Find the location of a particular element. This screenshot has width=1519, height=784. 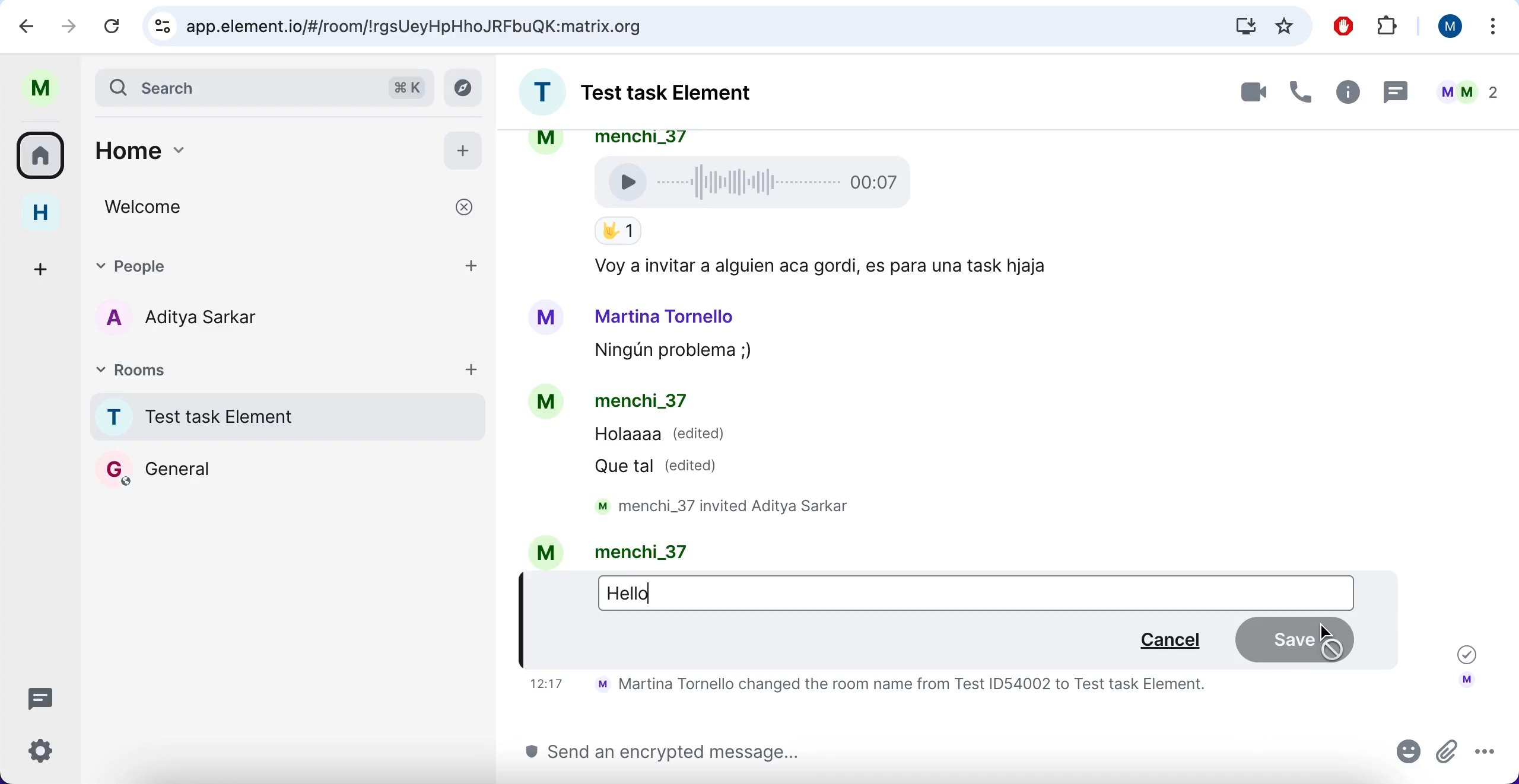

text is located at coordinates (896, 687).